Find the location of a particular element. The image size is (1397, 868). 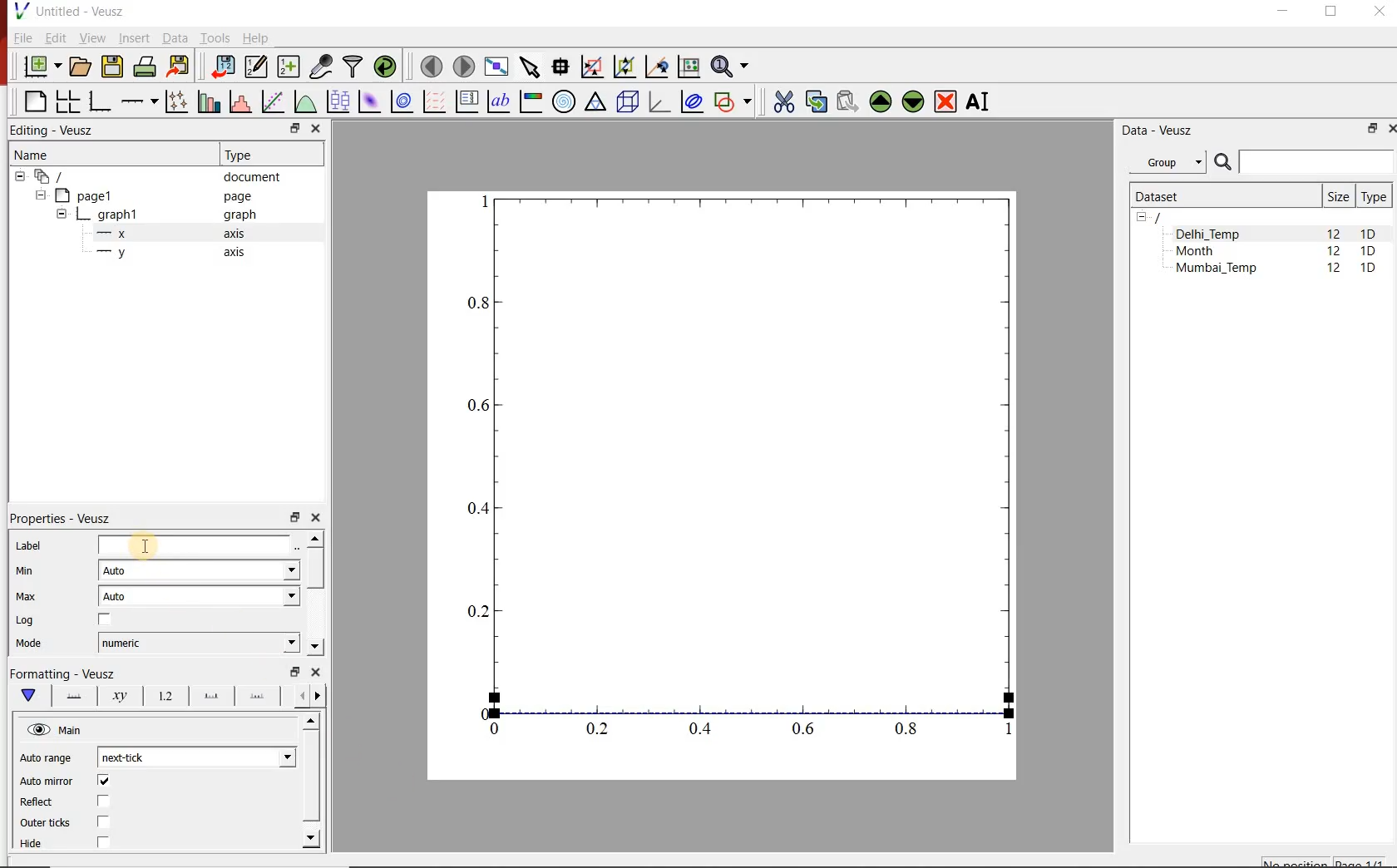

CLOSE is located at coordinates (1377, 11).